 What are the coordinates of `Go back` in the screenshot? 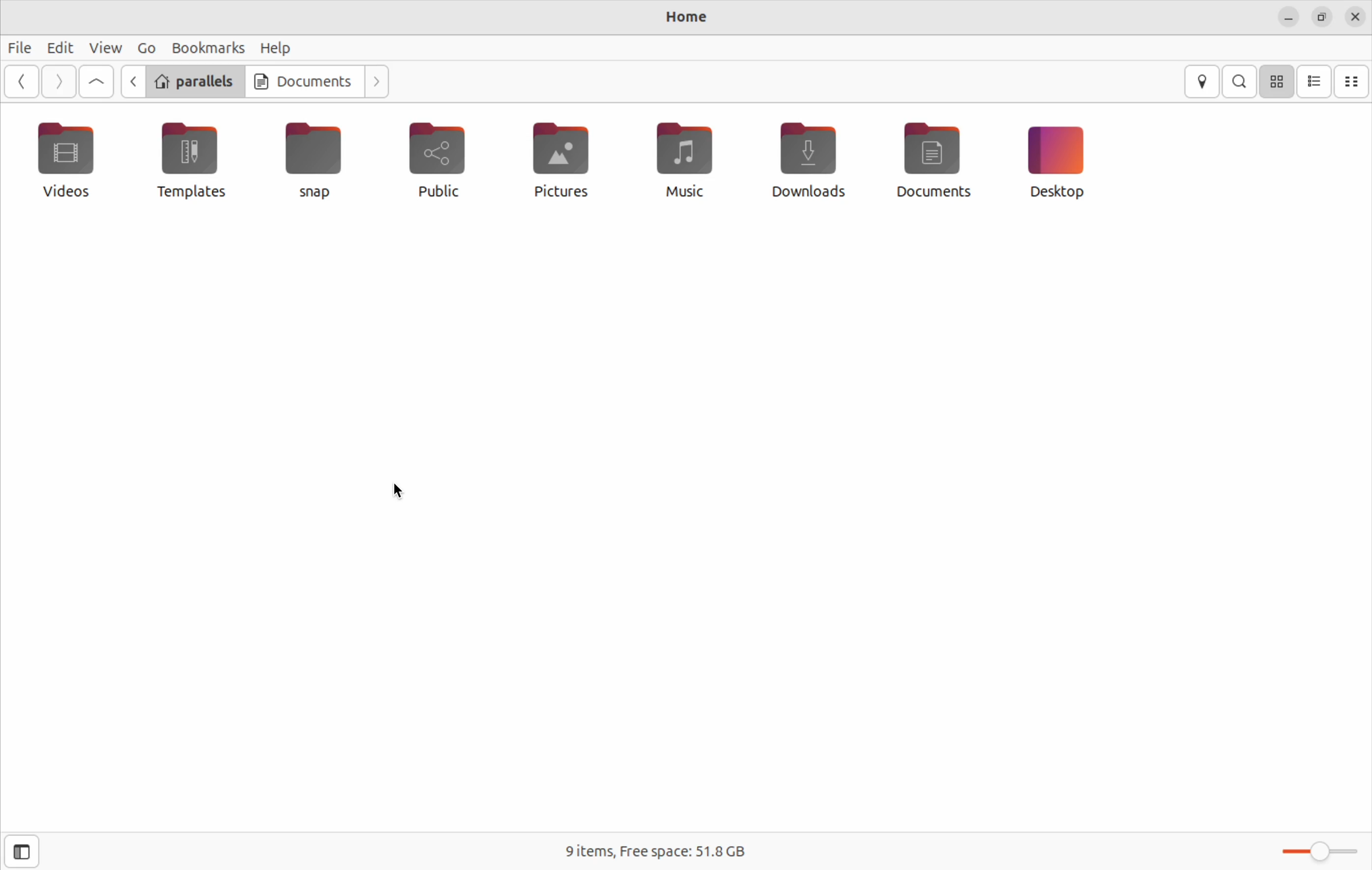 It's located at (23, 81).